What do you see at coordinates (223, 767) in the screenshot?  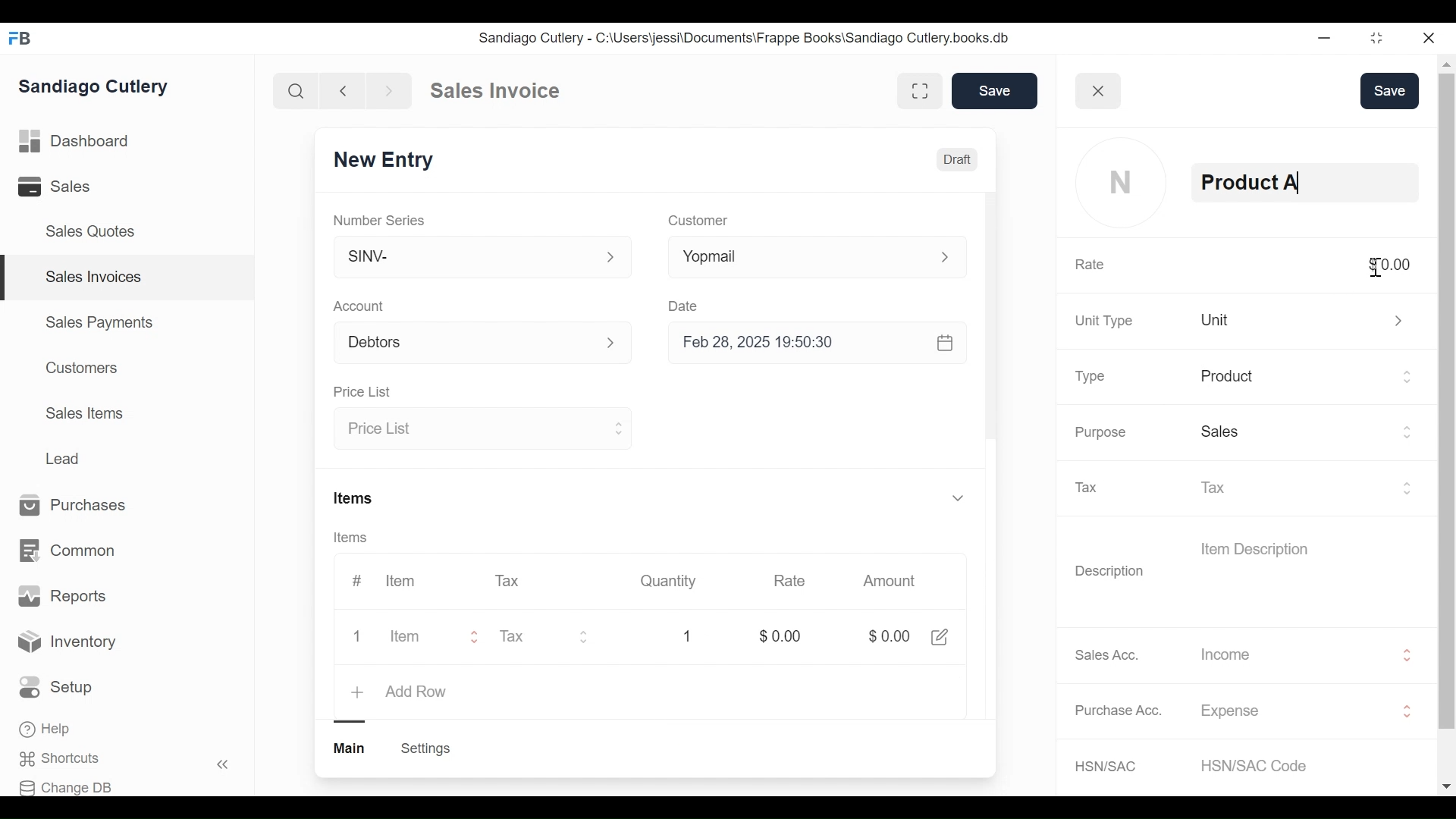 I see `«` at bounding box center [223, 767].